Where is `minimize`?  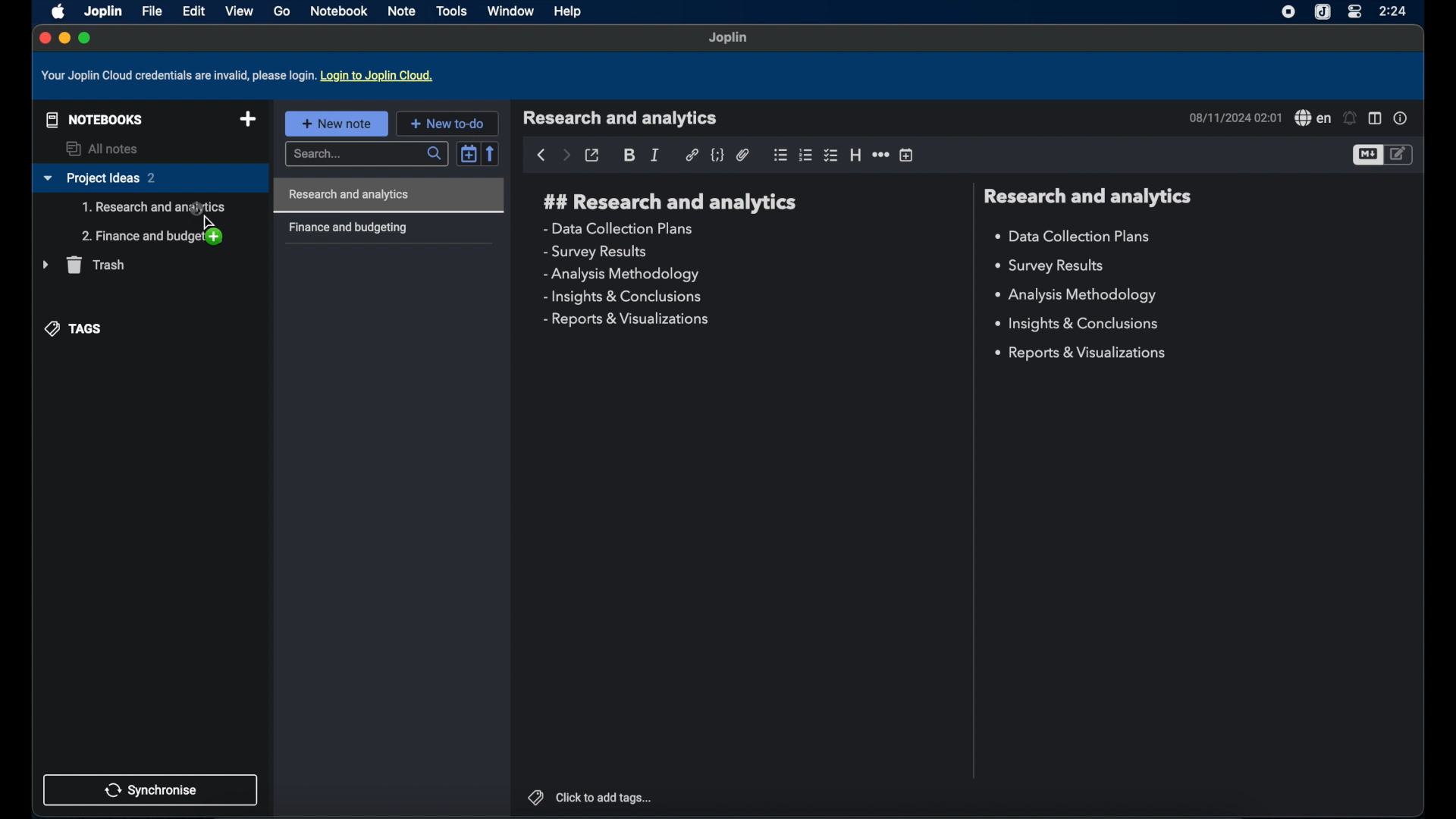 minimize is located at coordinates (64, 39).